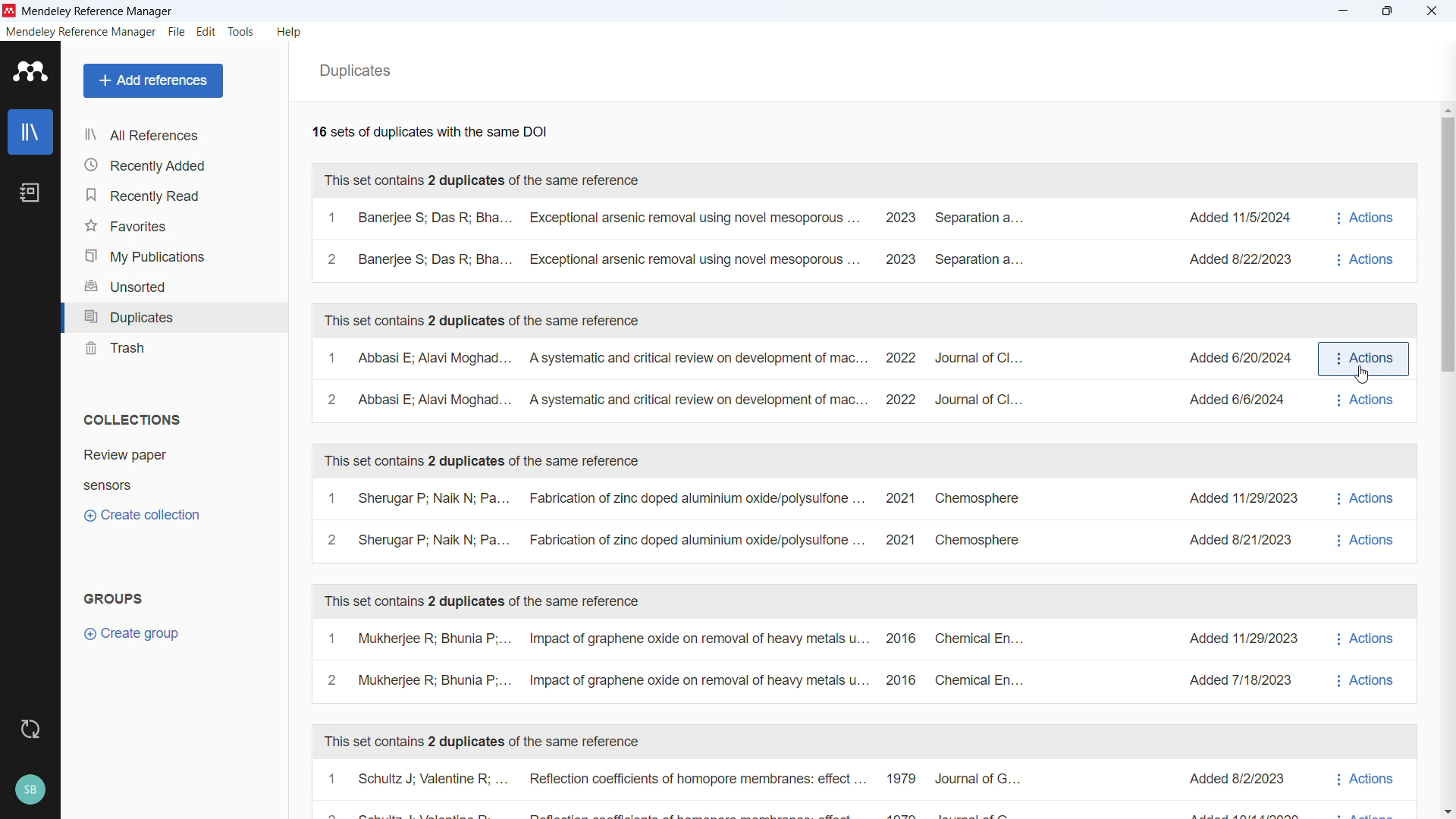  What do you see at coordinates (1386, 11) in the screenshot?
I see `Maximise ` at bounding box center [1386, 11].